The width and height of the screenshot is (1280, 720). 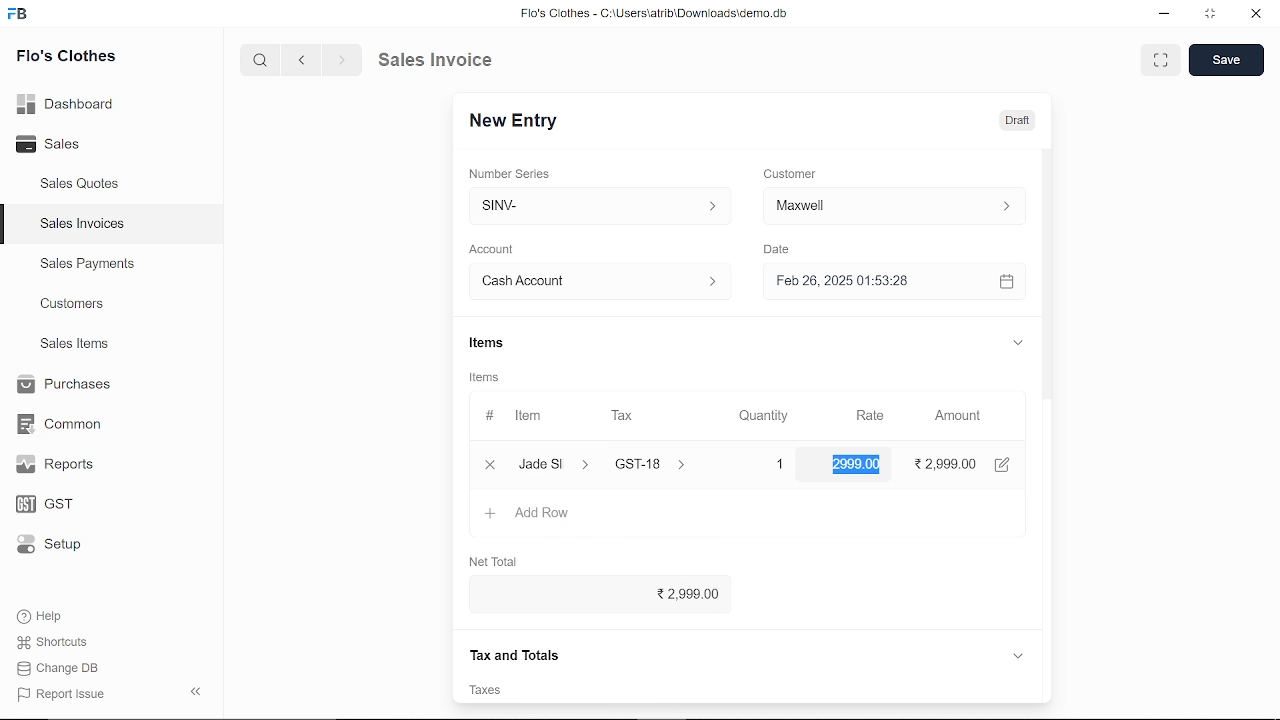 I want to click on full screen, so click(x=1160, y=60).